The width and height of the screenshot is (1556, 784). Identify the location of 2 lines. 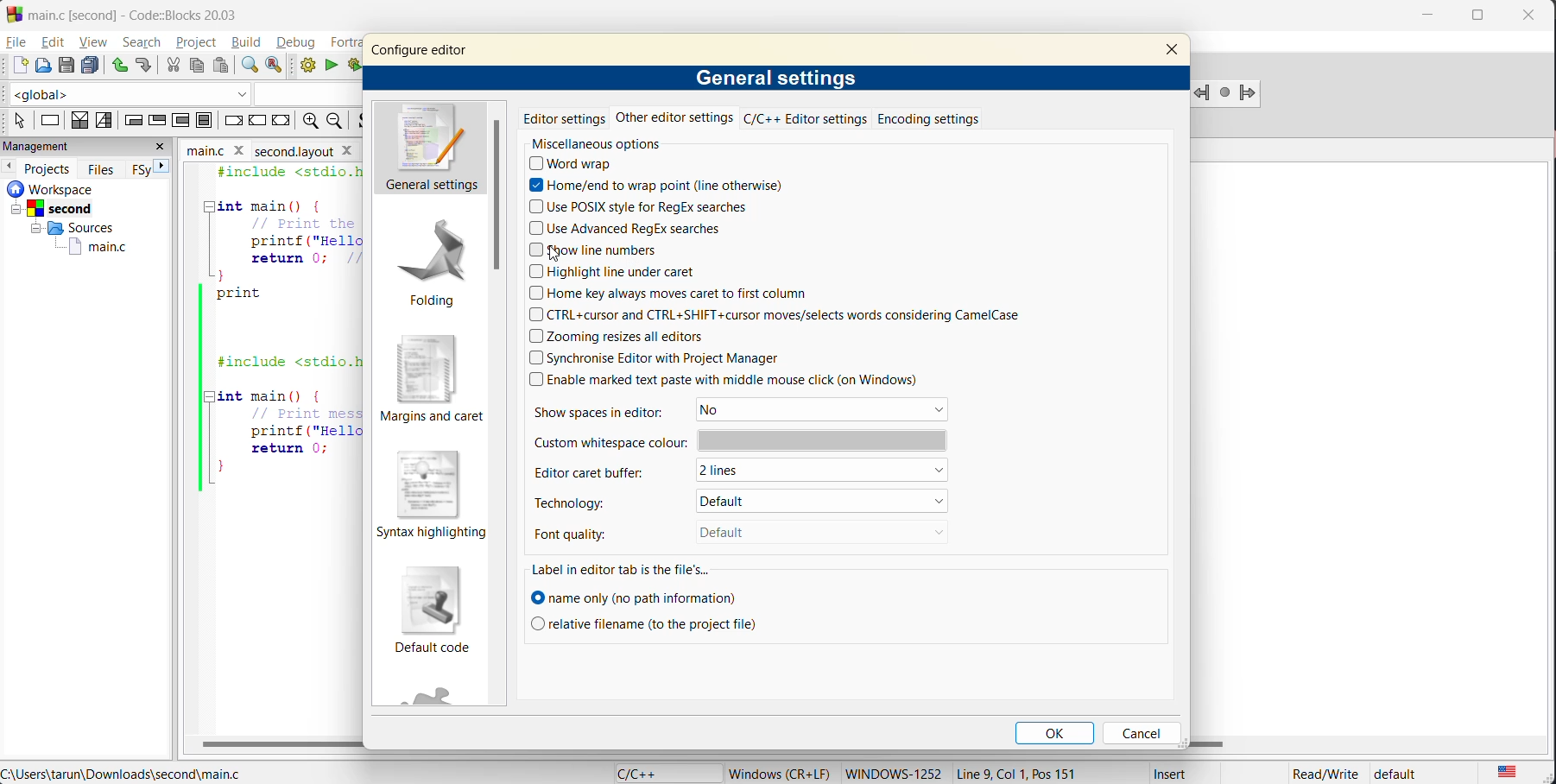
(781, 472).